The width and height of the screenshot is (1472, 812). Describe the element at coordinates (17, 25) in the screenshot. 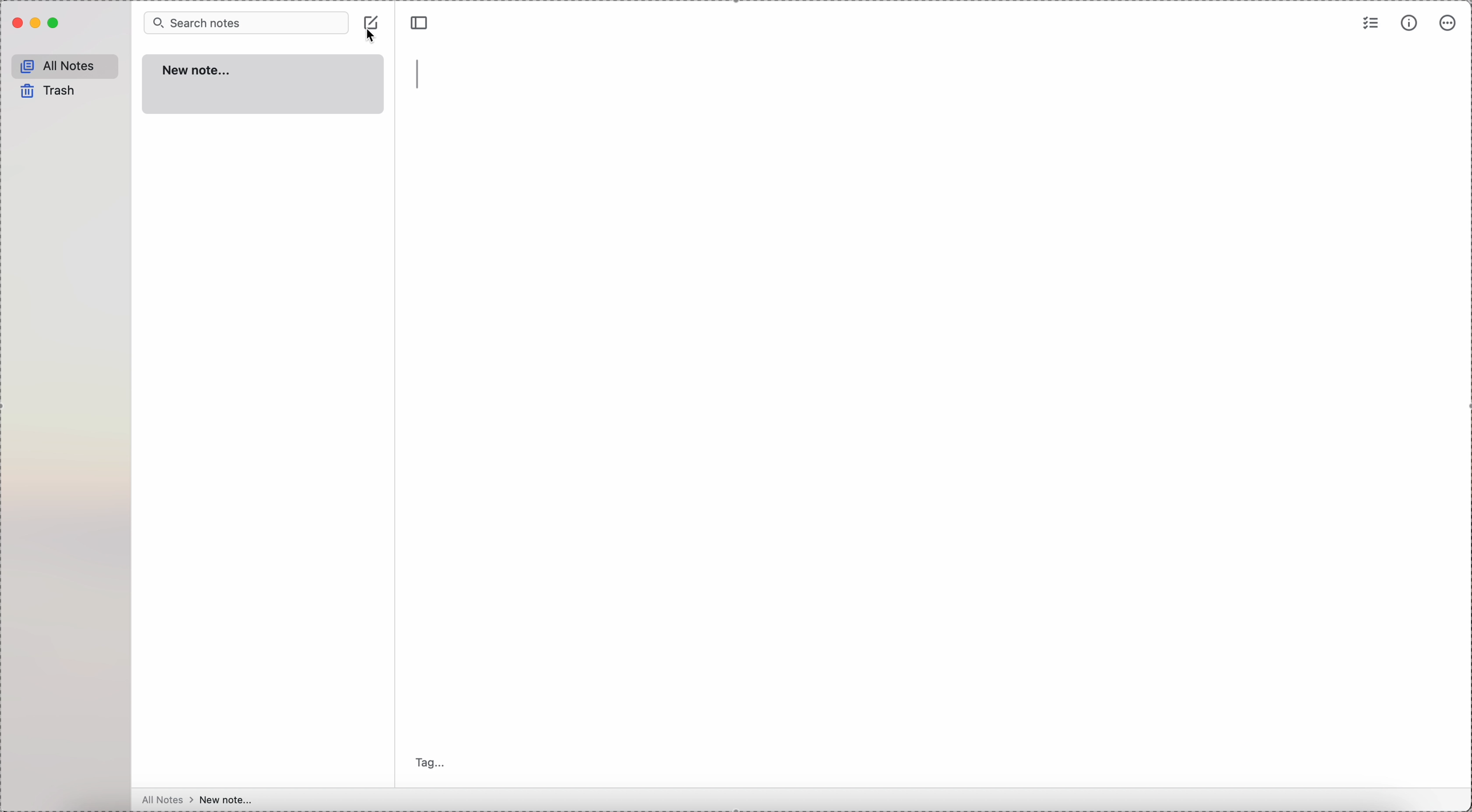

I see `close Simplenote` at that location.